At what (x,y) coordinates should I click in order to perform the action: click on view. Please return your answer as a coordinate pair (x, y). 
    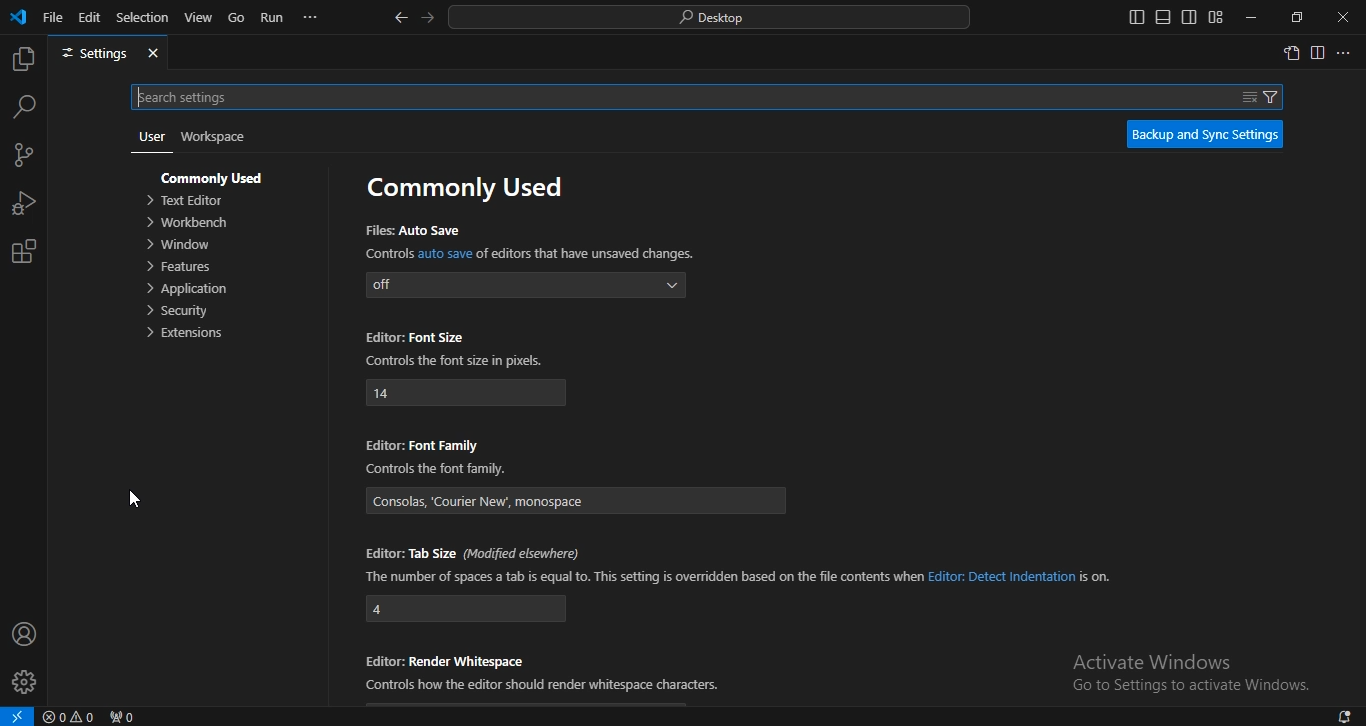
    Looking at the image, I should click on (198, 16).